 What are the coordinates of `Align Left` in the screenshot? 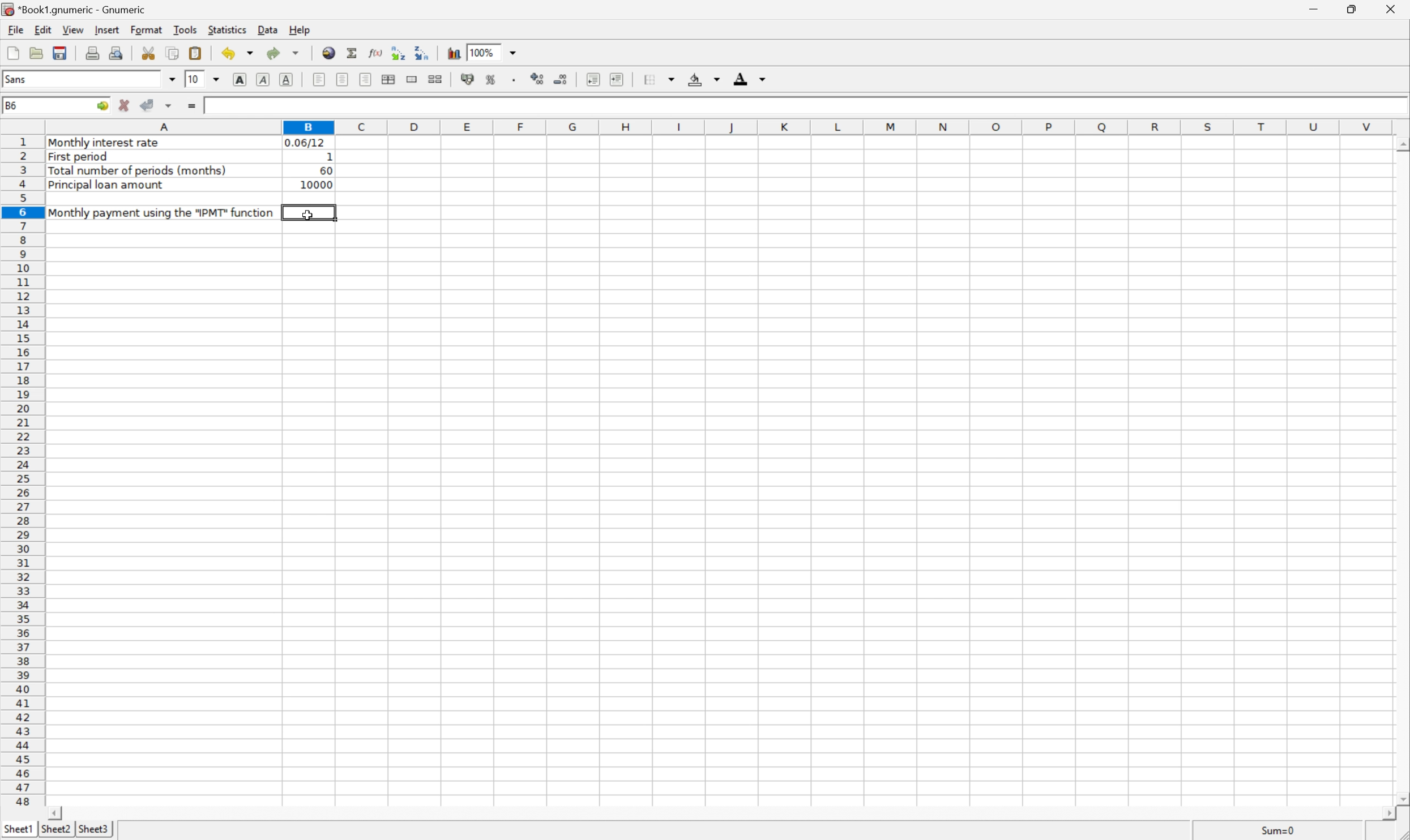 It's located at (317, 79).